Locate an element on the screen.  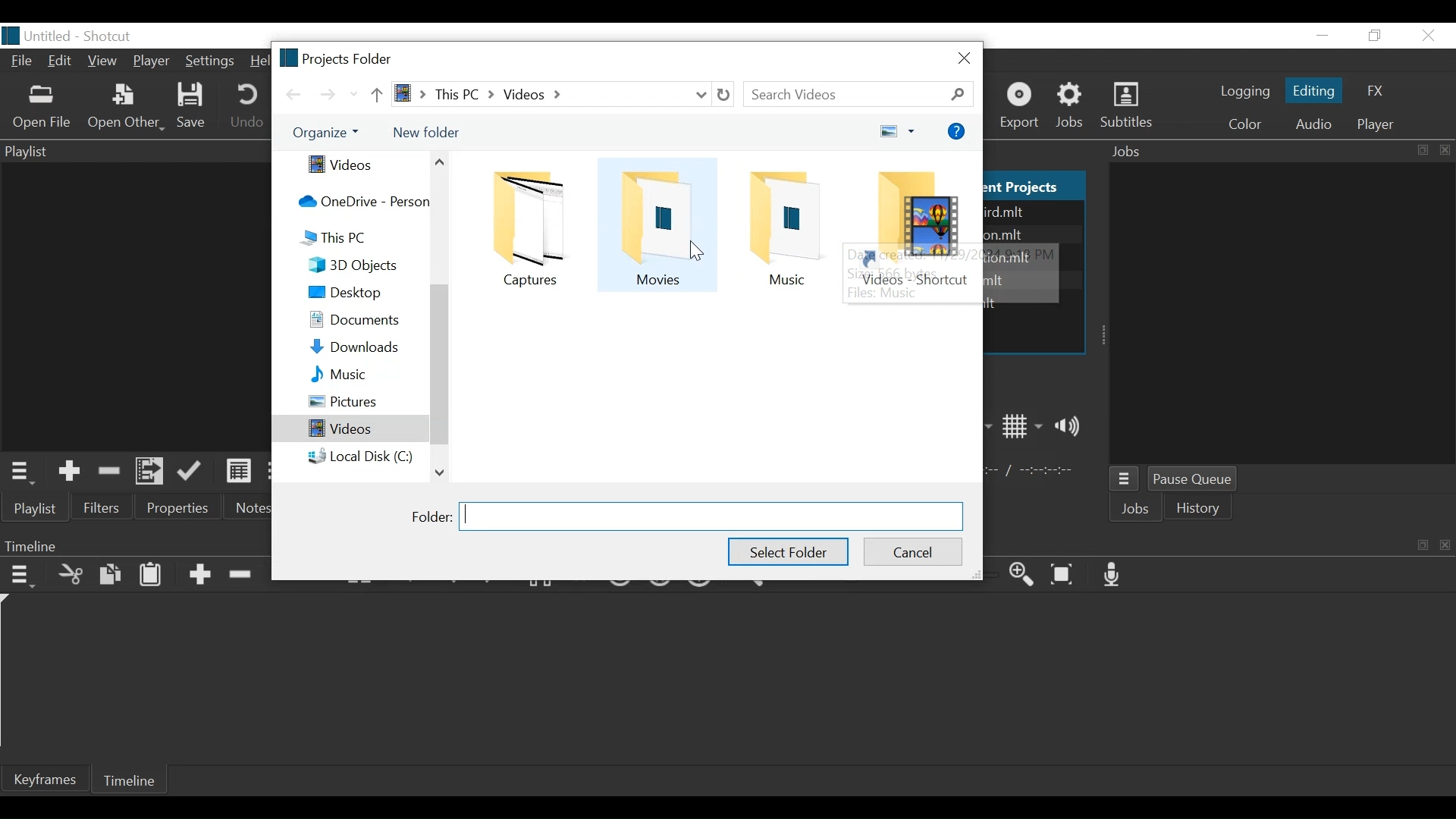
Show volume control is located at coordinates (1072, 425).